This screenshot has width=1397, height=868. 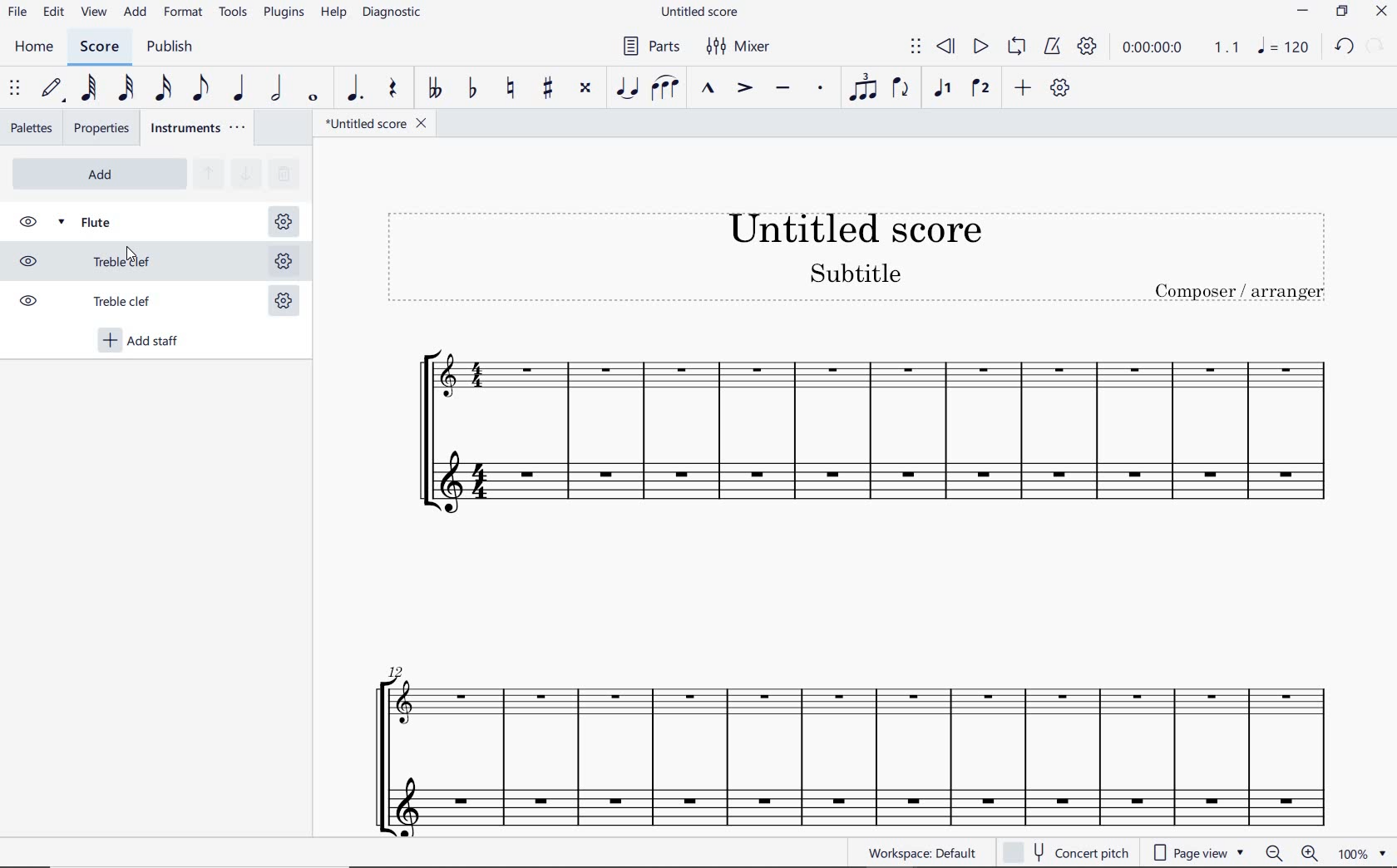 I want to click on CUSTOMIZE TOOLBAR, so click(x=1060, y=87).